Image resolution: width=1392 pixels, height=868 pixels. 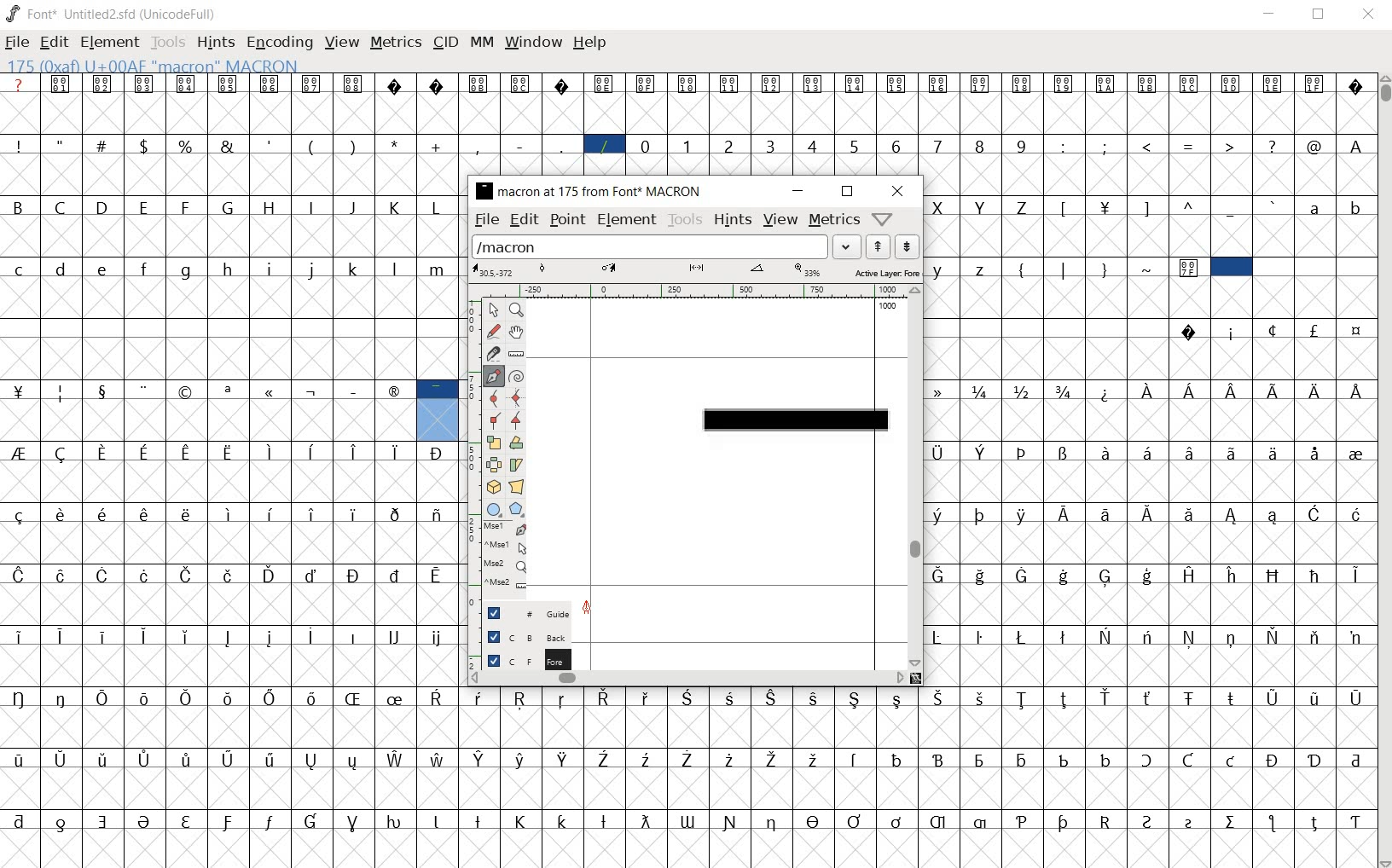 What do you see at coordinates (312, 145) in the screenshot?
I see `(` at bounding box center [312, 145].